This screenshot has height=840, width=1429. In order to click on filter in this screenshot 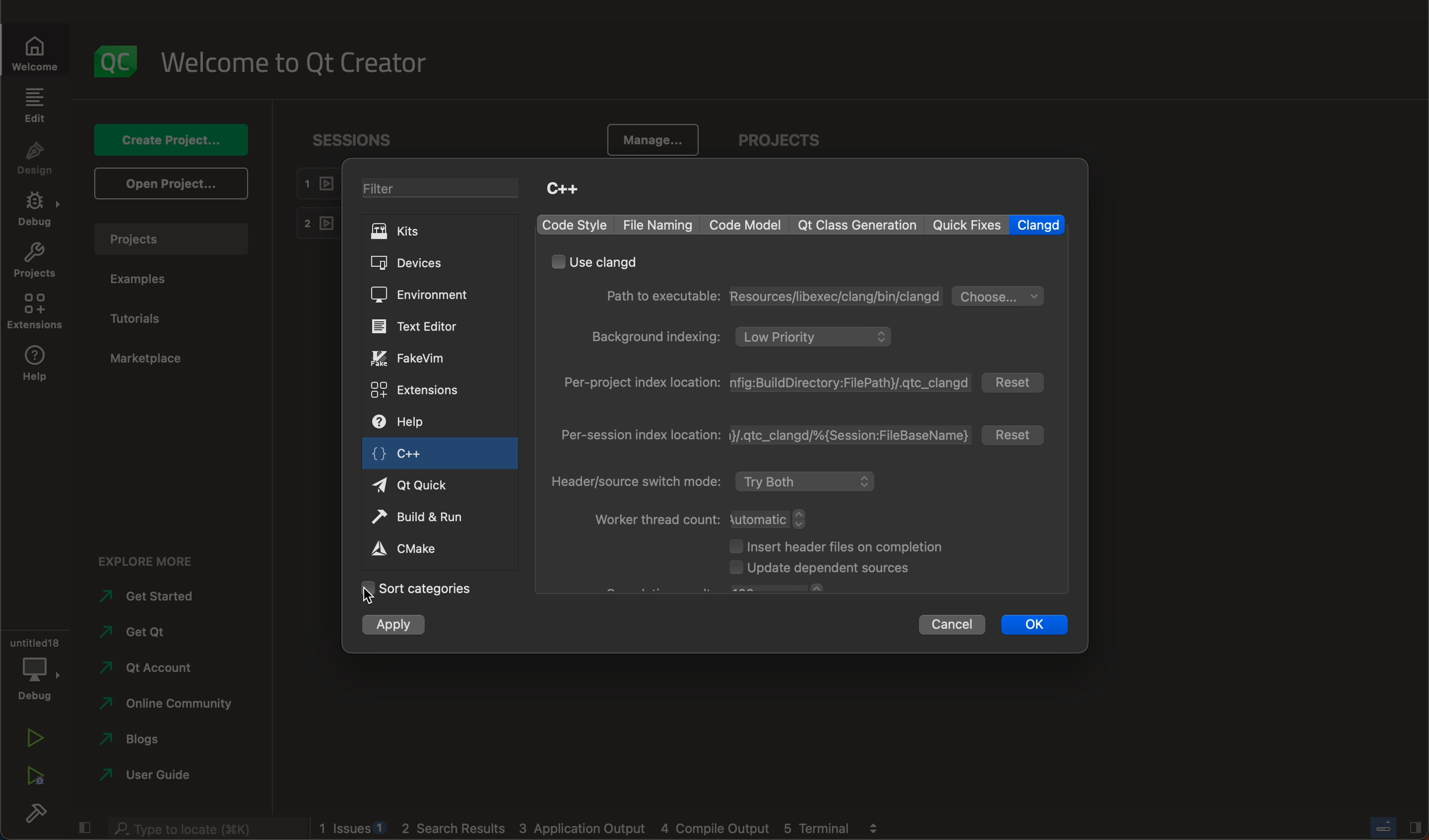, I will do `click(442, 191)`.